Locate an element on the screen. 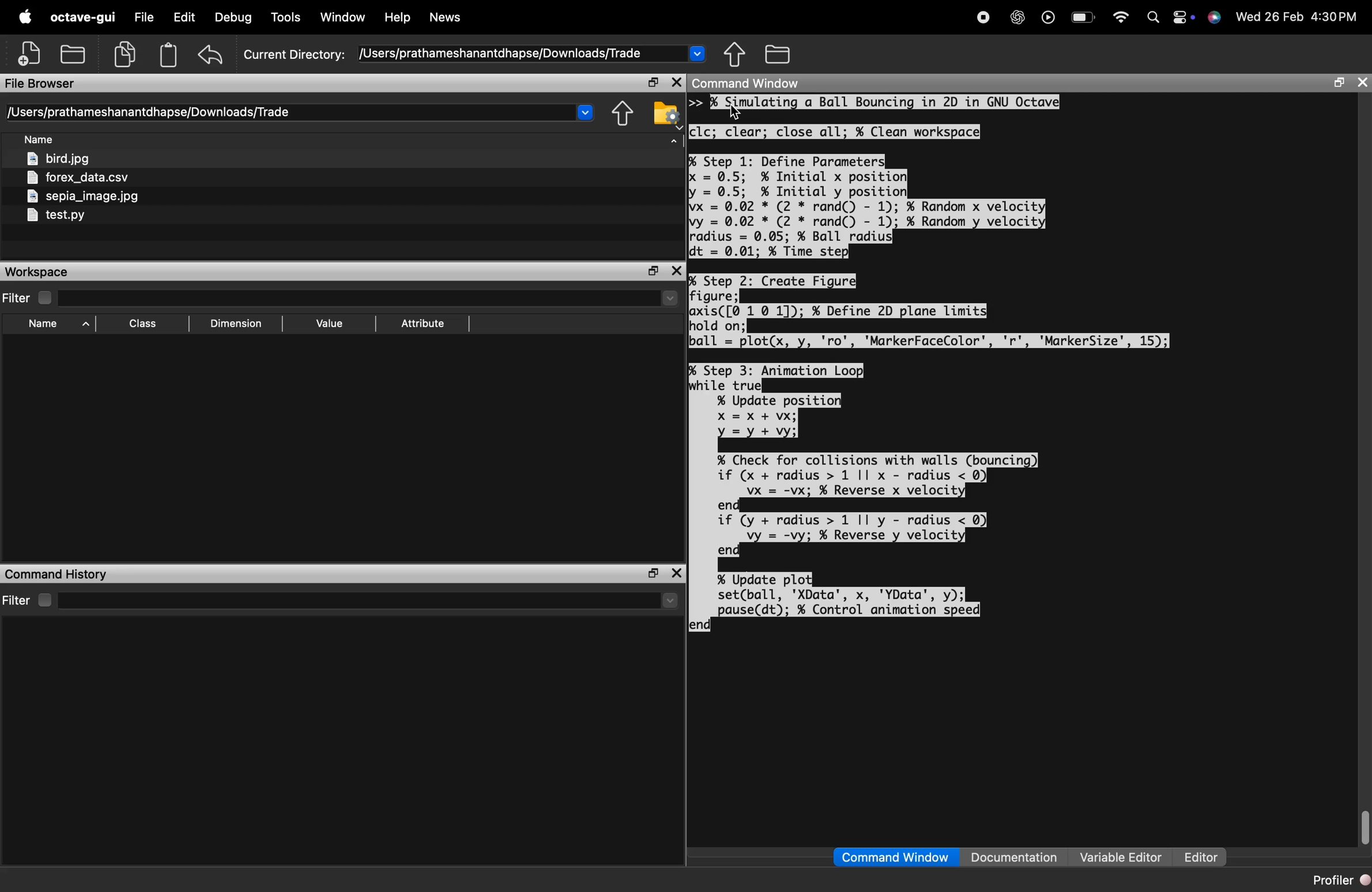 This screenshot has height=892, width=1372. Editor is located at coordinates (1203, 857).